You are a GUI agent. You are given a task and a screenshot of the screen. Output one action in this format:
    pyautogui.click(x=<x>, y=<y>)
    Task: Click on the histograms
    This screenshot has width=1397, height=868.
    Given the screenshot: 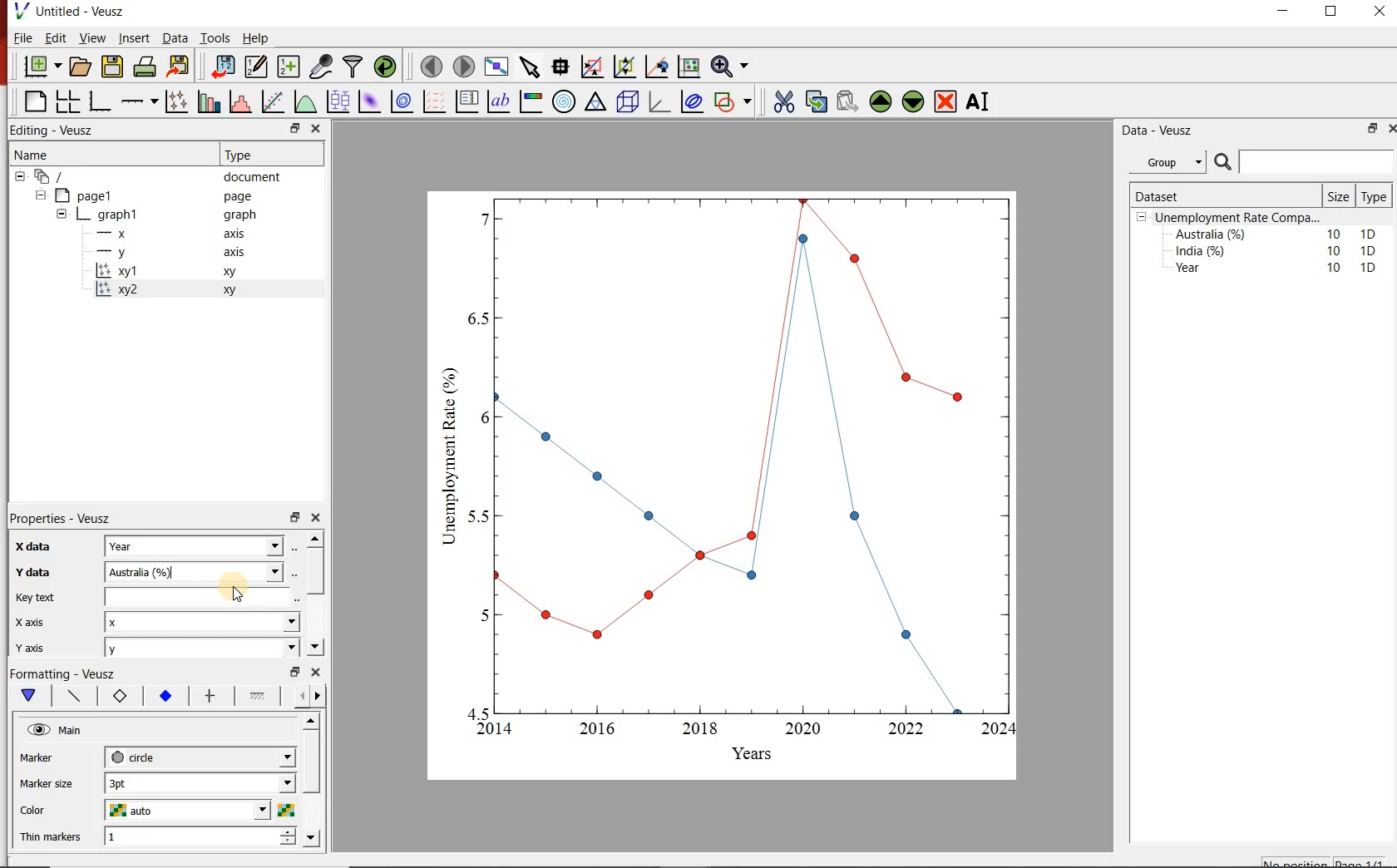 What is the action you would take?
    pyautogui.click(x=239, y=101)
    